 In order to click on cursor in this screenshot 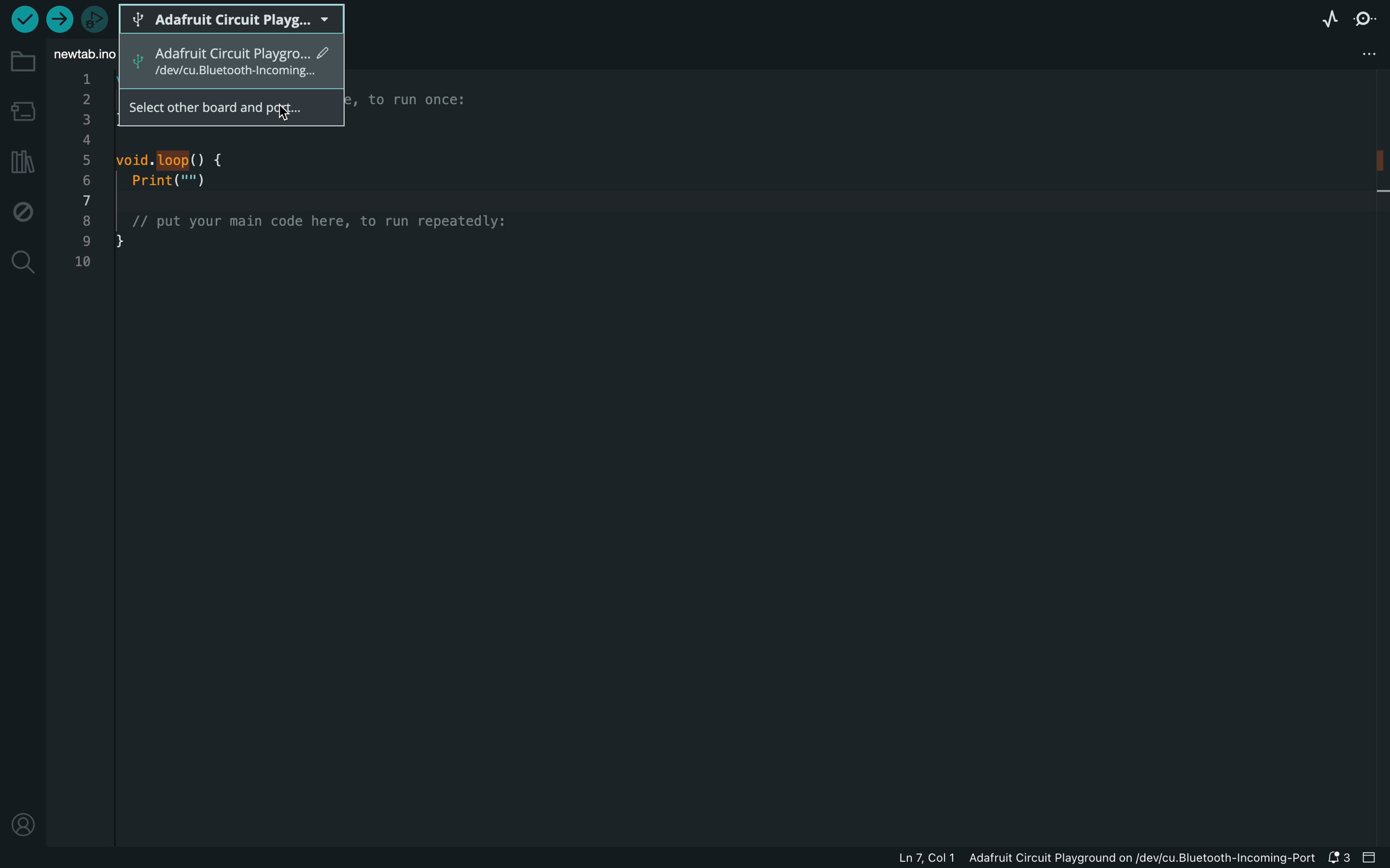, I will do `click(286, 114)`.